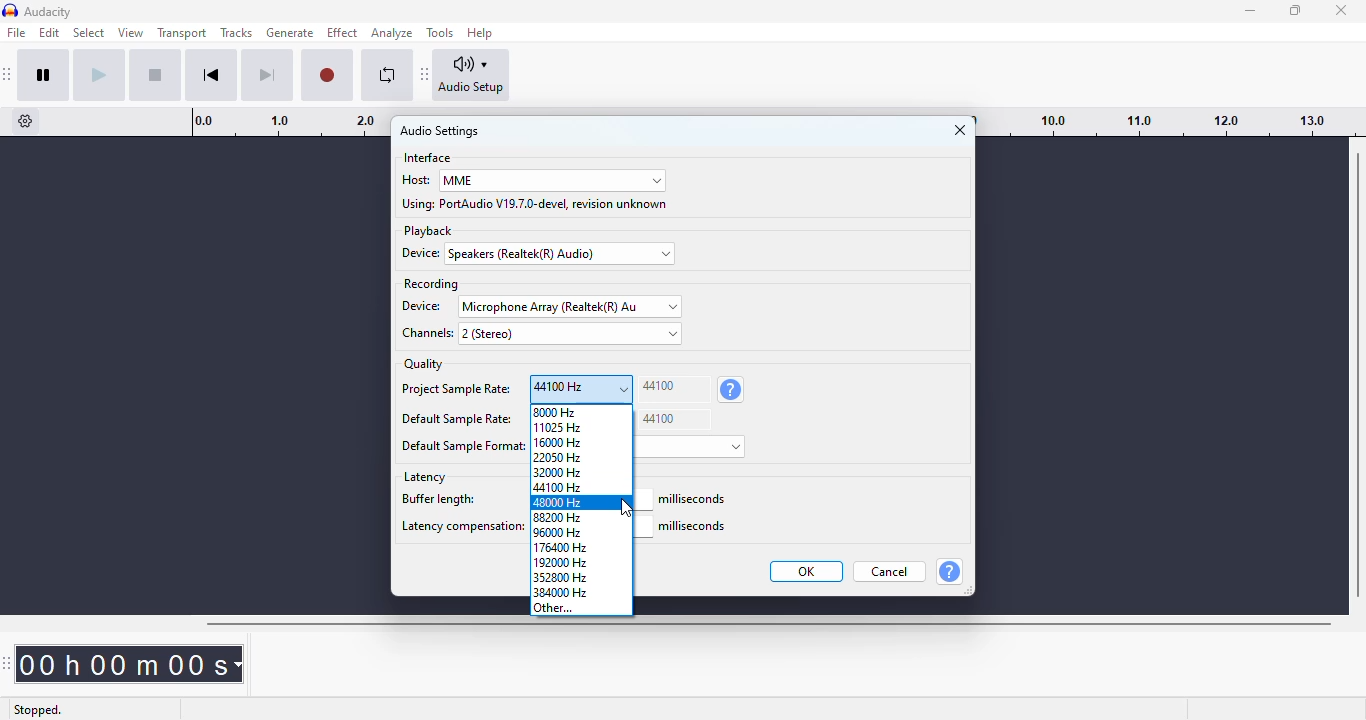  Describe the element at coordinates (1251, 11) in the screenshot. I see `minimize` at that location.